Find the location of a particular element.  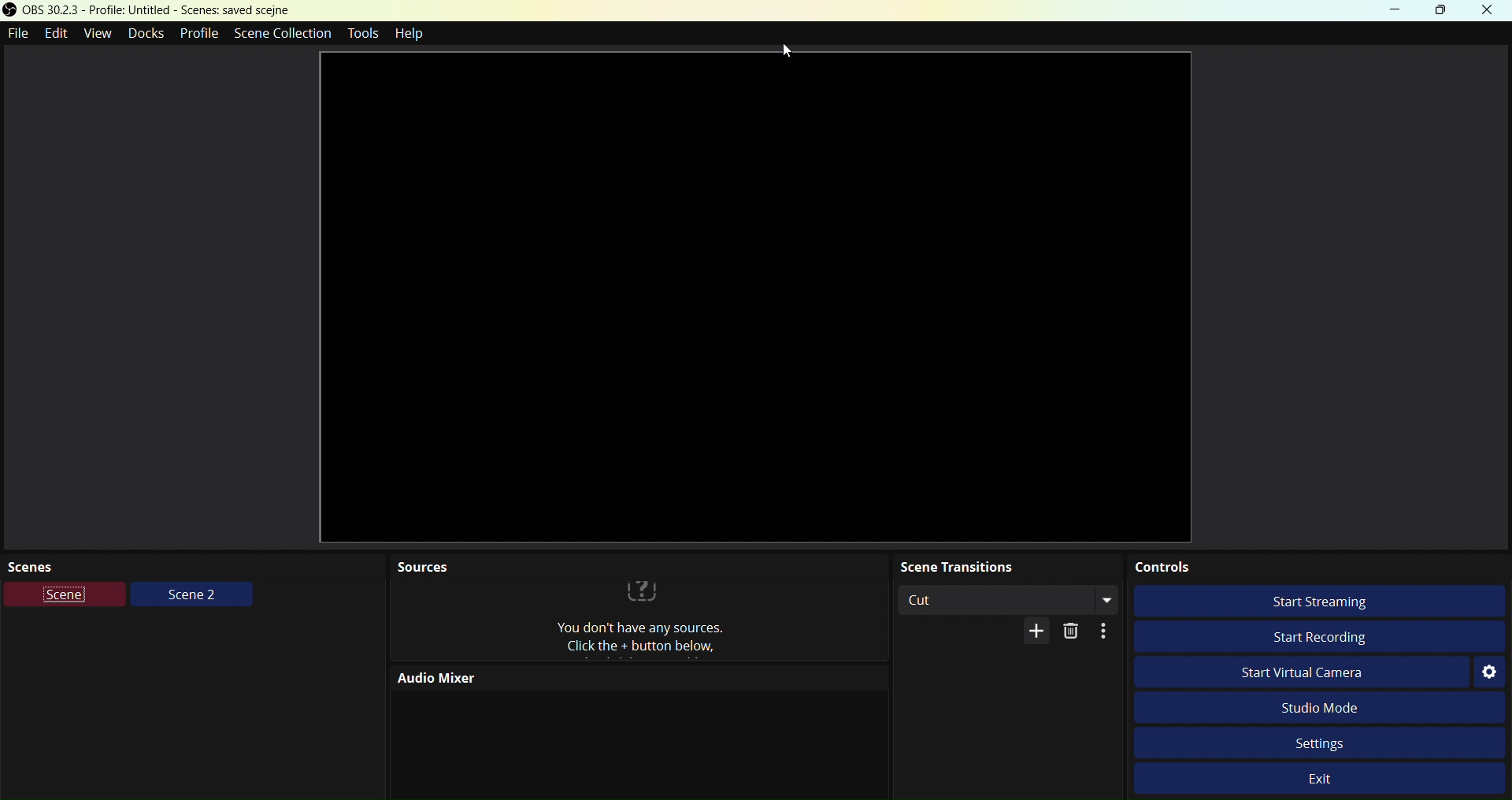

Box is located at coordinates (1447, 12).